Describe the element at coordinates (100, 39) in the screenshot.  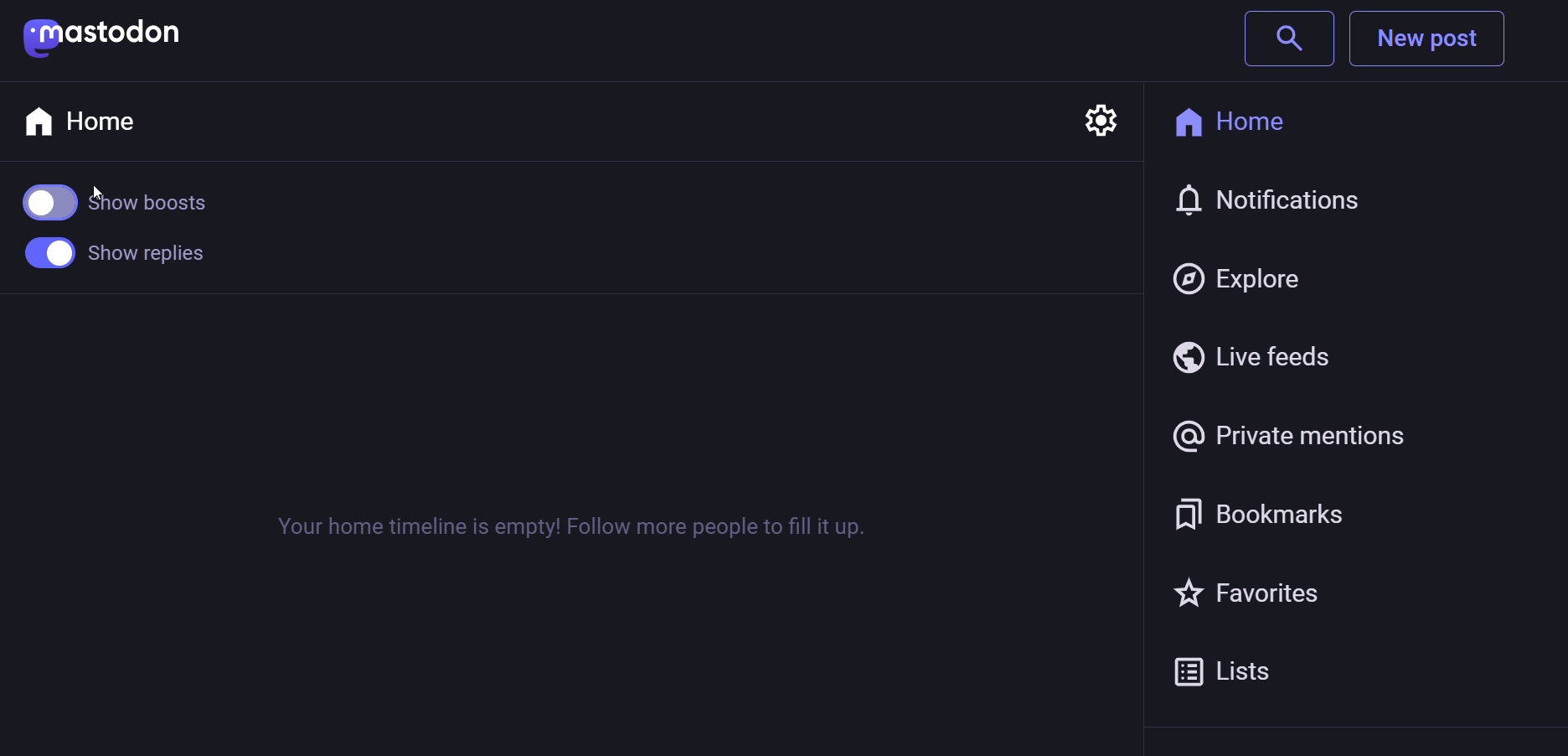
I see `mastodon` at that location.